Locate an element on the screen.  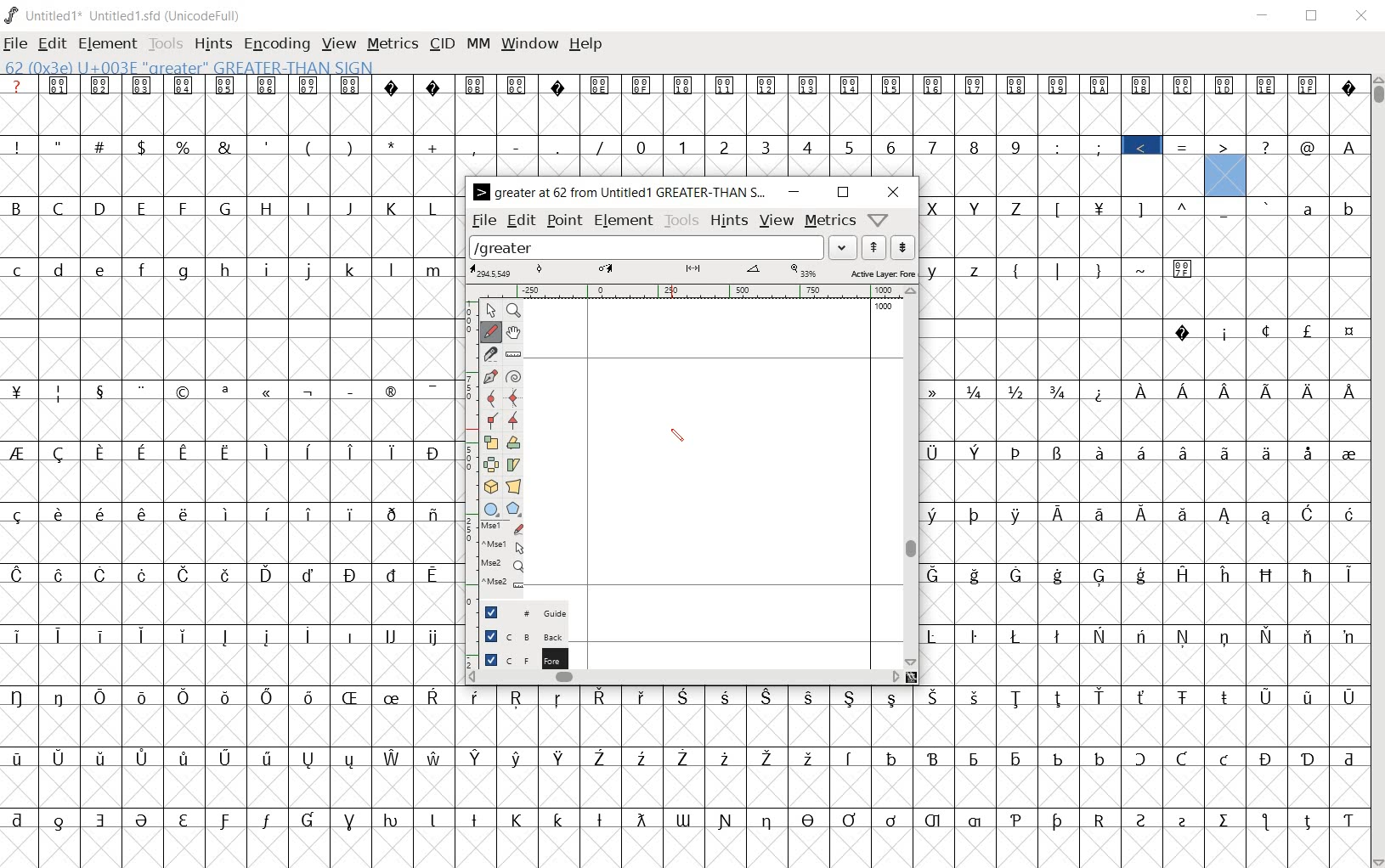
glyphs is located at coordinates (227, 465).